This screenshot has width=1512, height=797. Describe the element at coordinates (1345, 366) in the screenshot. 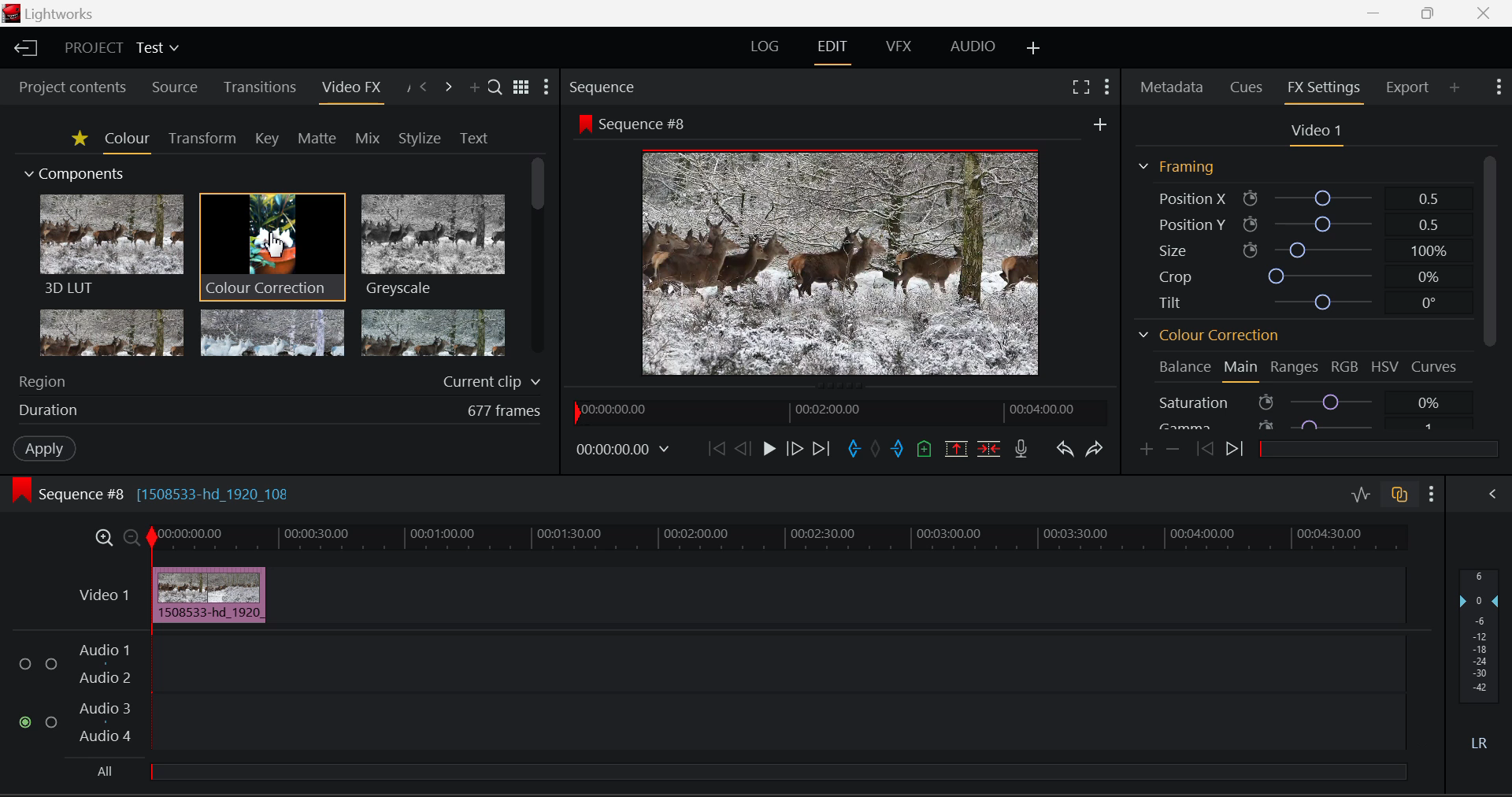

I see `RGB` at that location.